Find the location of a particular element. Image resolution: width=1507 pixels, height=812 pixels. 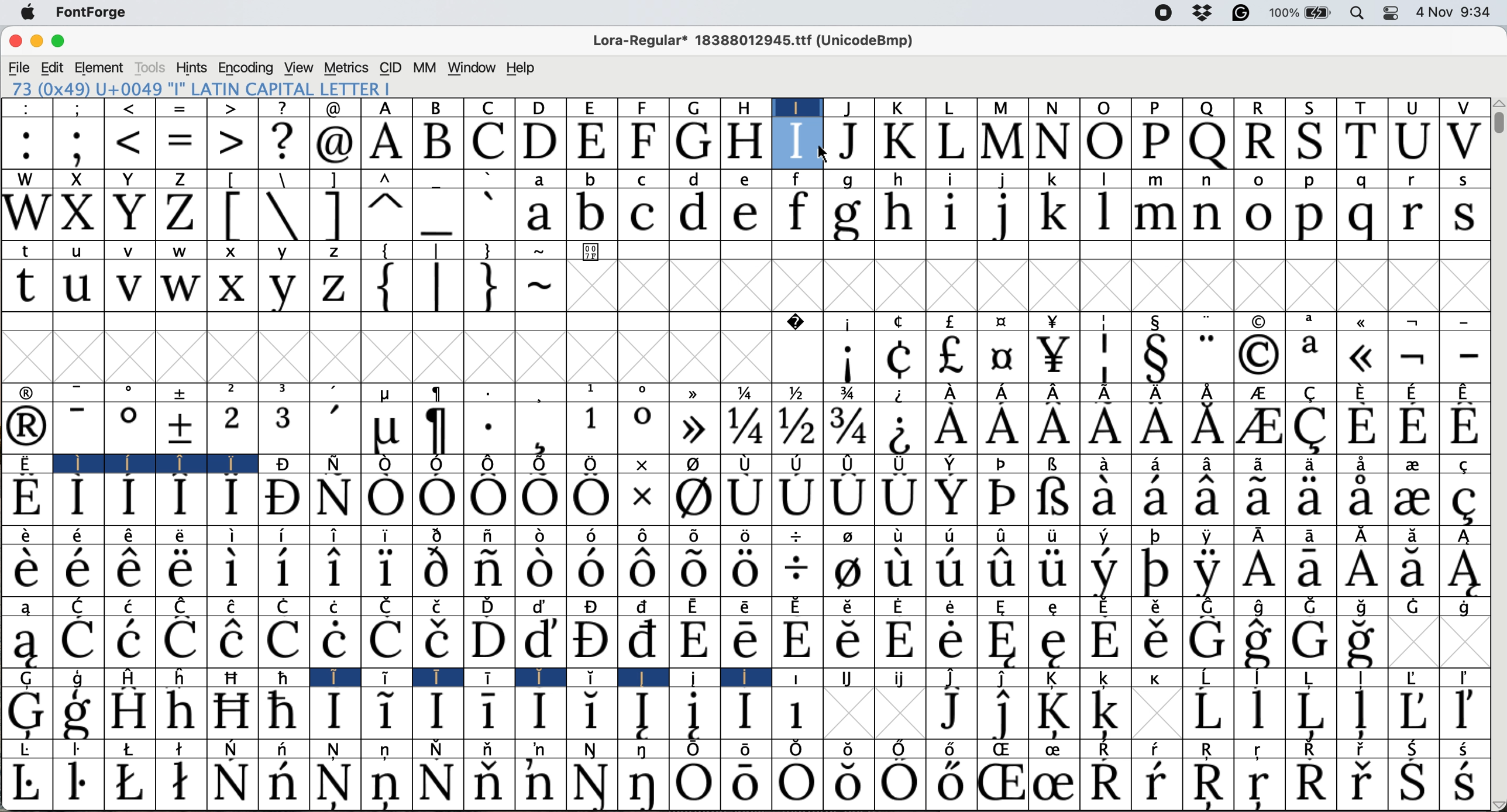

Symbol is located at coordinates (1055, 356).